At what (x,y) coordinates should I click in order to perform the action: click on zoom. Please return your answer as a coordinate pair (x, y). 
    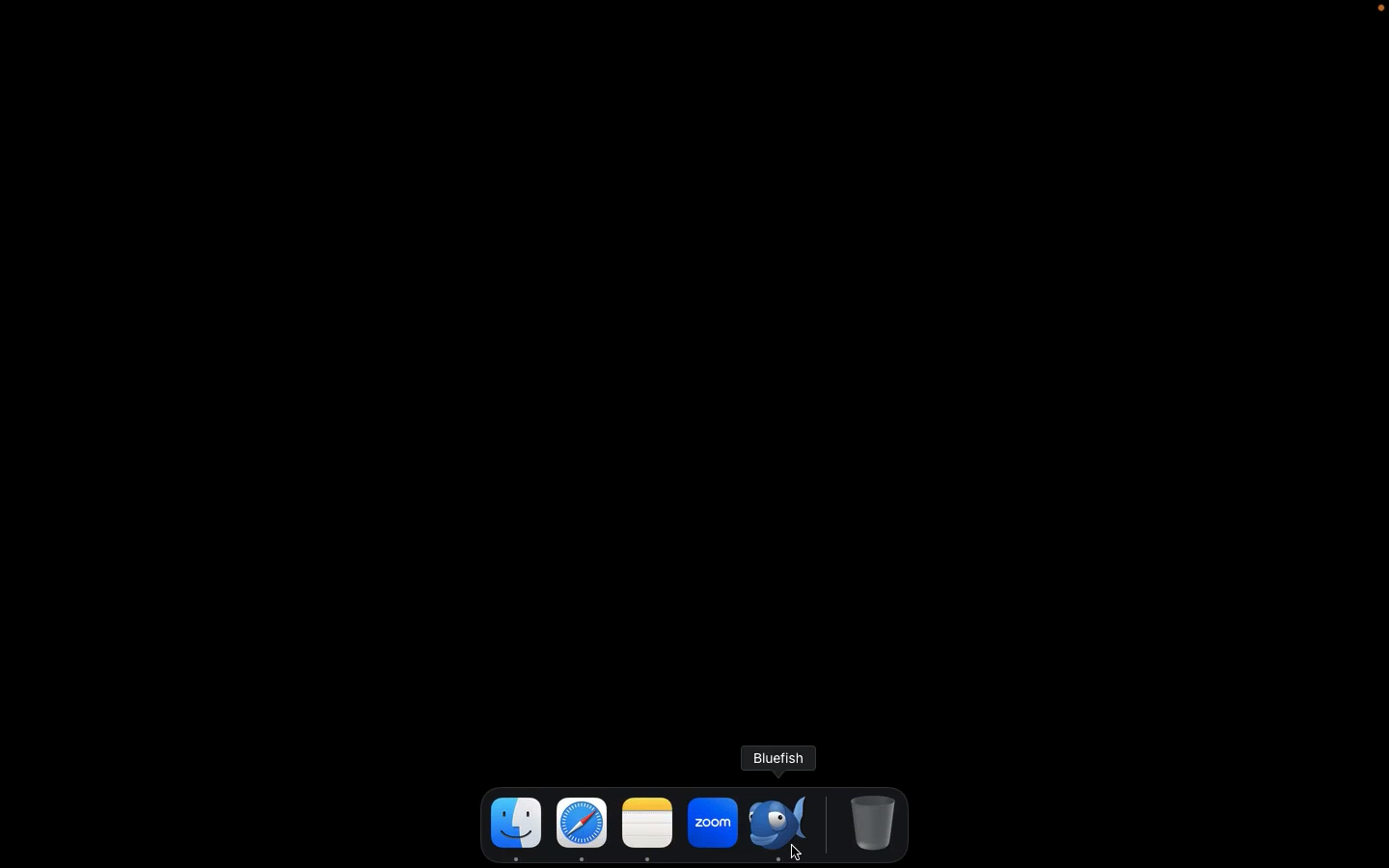
    Looking at the image, I should click on (711, 826).